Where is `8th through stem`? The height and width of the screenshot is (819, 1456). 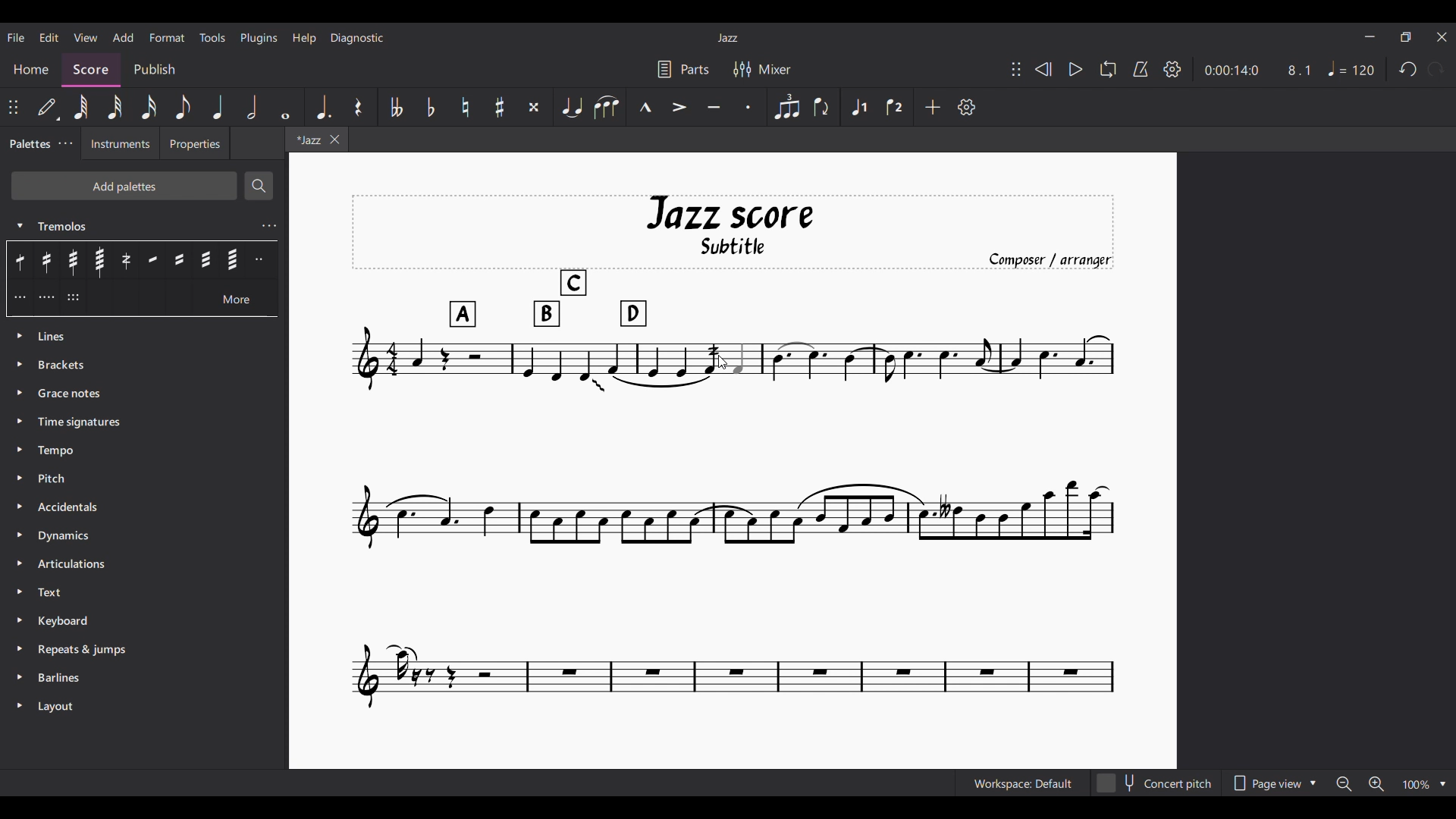
8th through stem is located at coordinates (22, 259).